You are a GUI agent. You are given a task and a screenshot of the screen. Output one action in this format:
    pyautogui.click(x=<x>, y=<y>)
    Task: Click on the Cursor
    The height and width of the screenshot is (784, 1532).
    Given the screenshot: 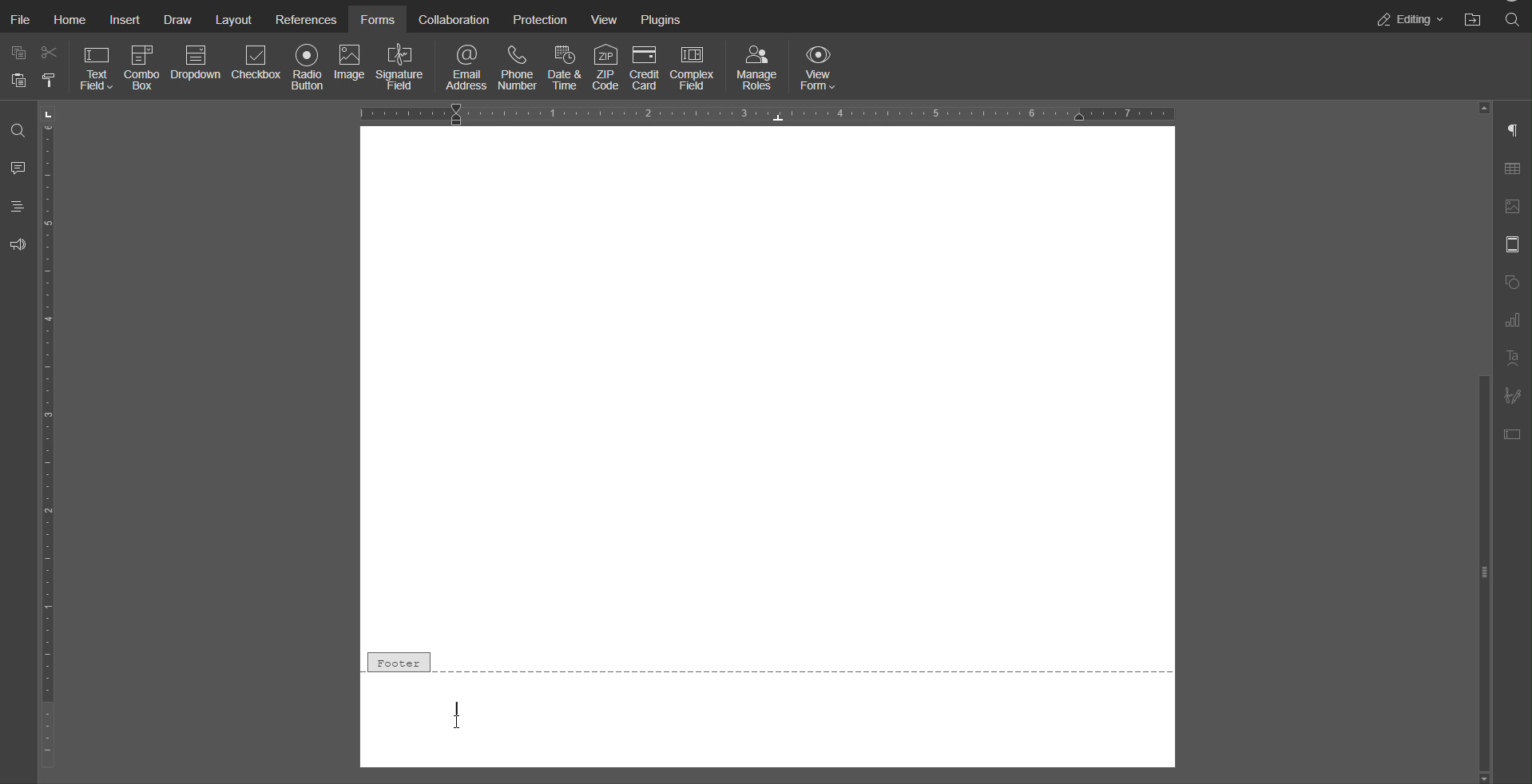 What is the action you would take?
    pyautogui.click(x=463, y=721)
    